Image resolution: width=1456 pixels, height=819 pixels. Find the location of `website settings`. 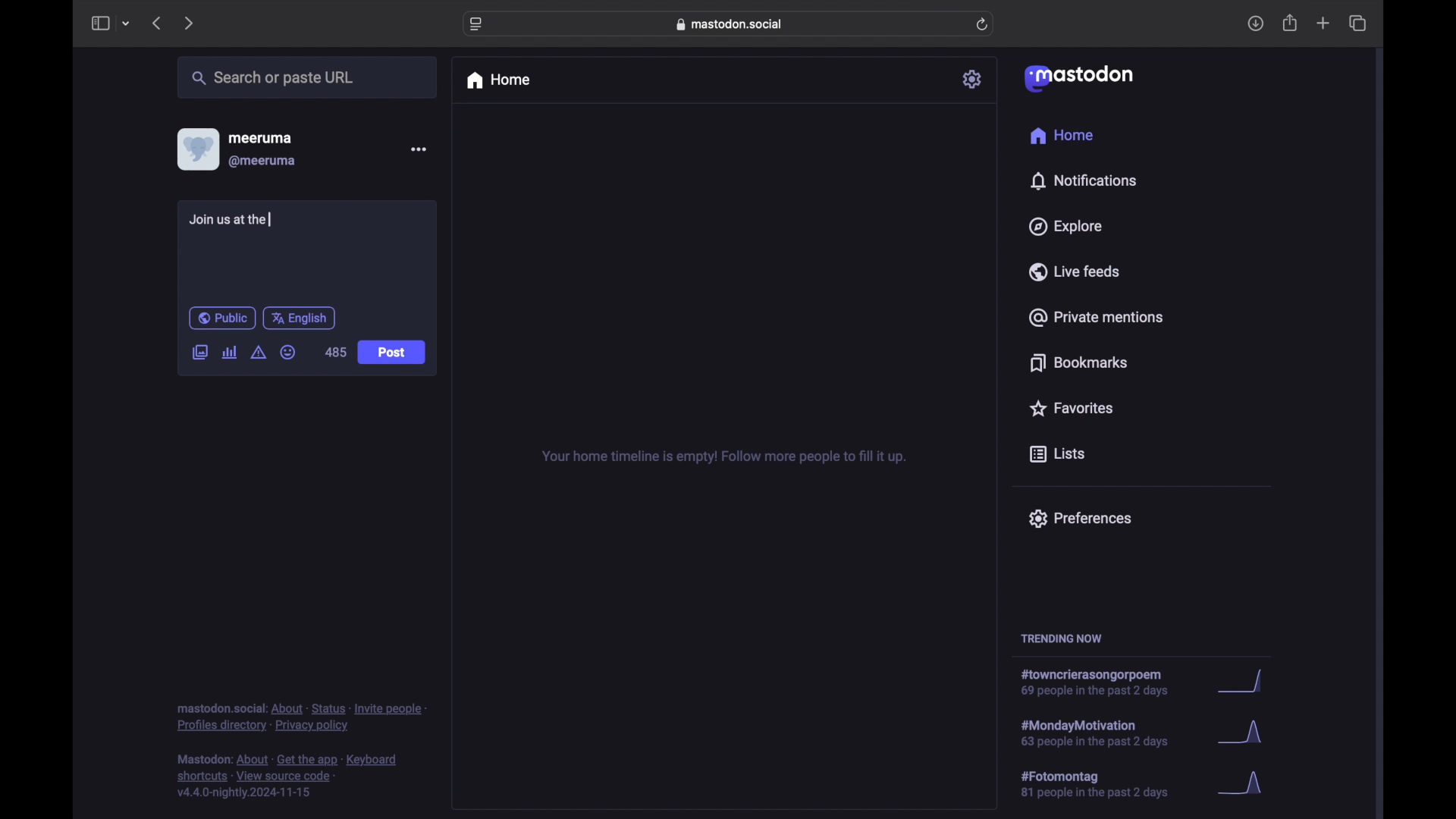

website settings is located at coordinates (478, 24).